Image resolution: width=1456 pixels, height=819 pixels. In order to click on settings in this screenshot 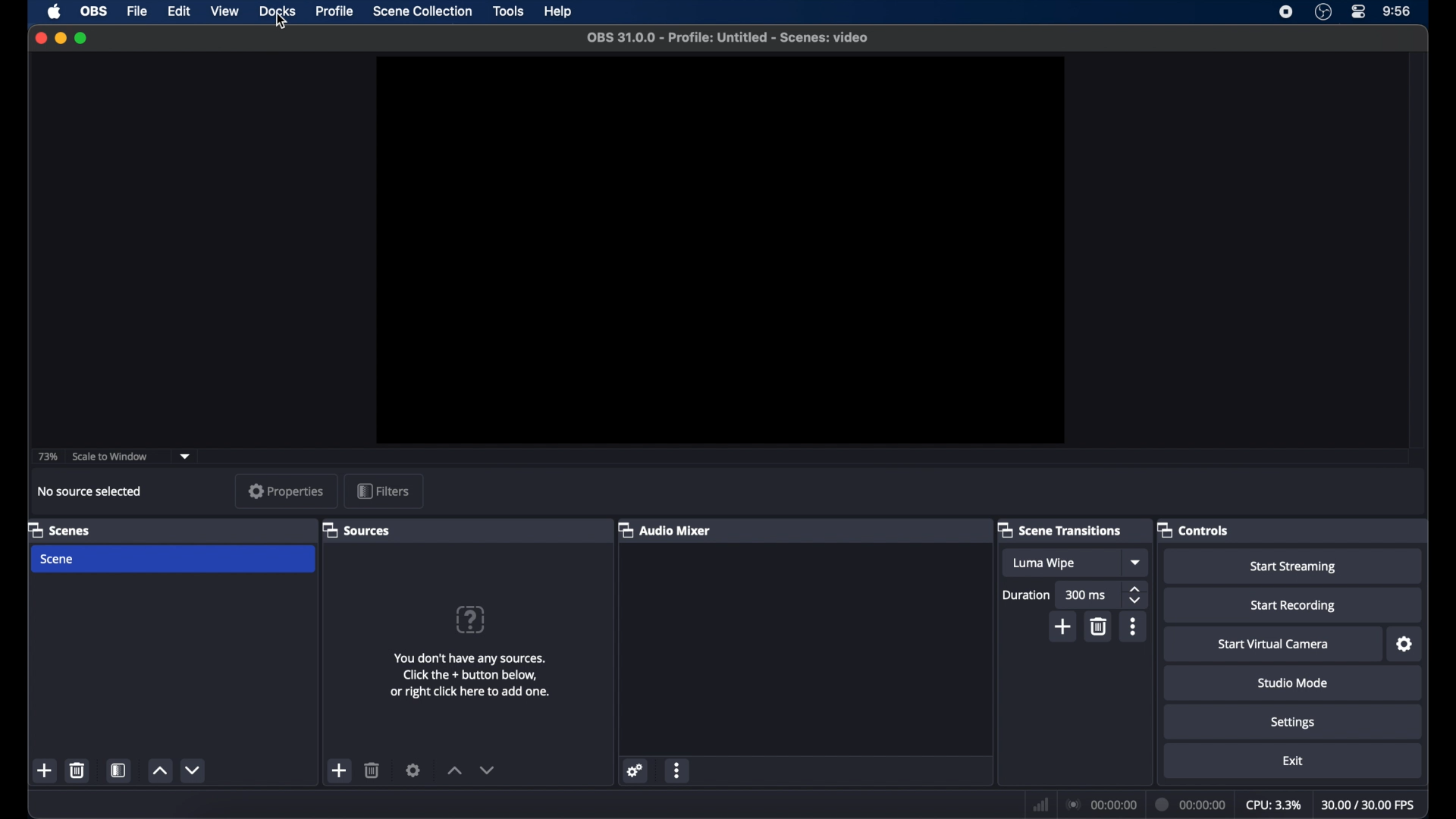, I will do `click(1404, 644)`.